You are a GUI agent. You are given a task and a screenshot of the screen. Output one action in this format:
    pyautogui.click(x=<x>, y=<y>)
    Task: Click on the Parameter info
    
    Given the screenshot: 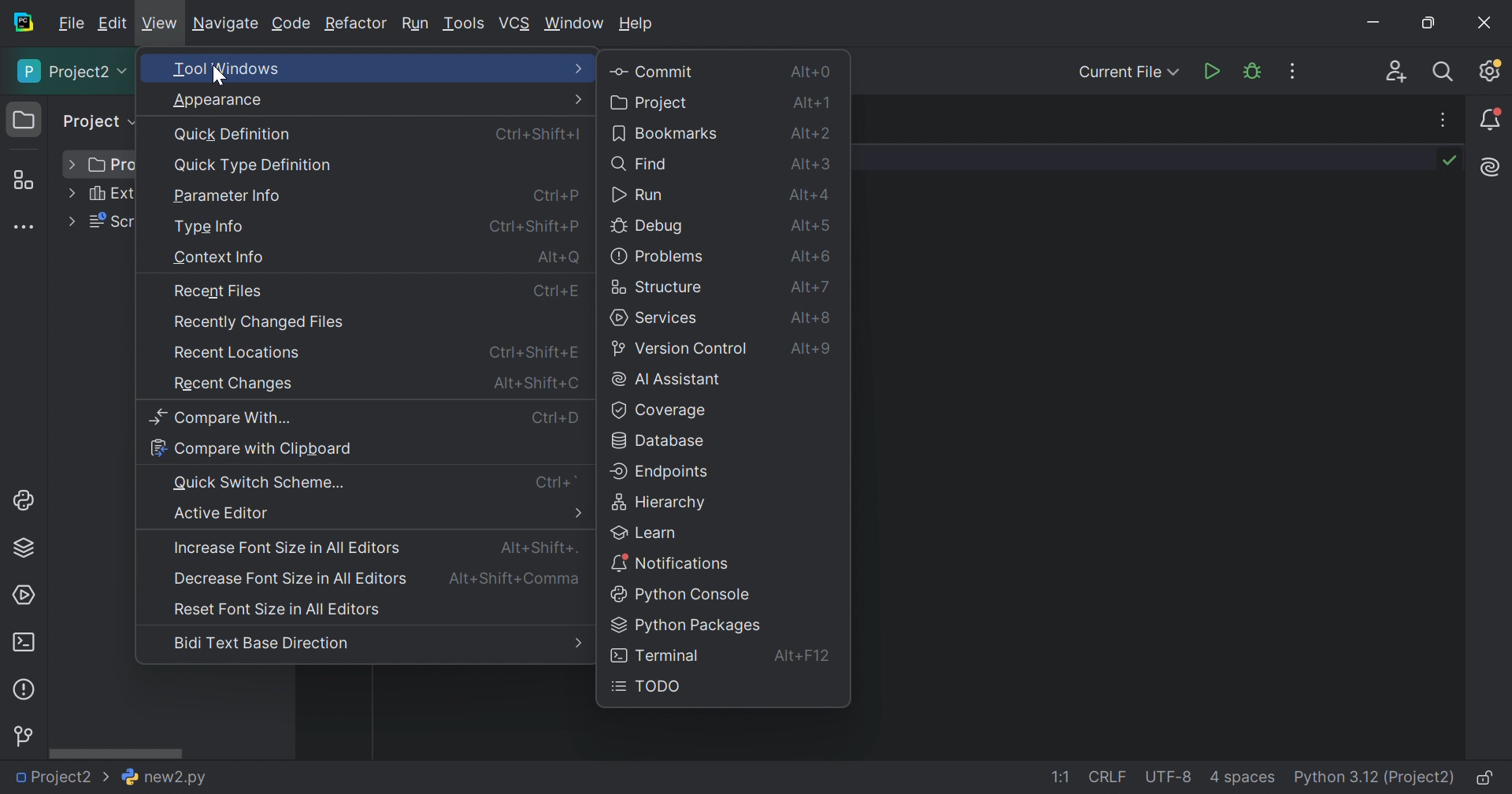 What is the action you would take?
    pyautogui.click(x=230, y=196)
    